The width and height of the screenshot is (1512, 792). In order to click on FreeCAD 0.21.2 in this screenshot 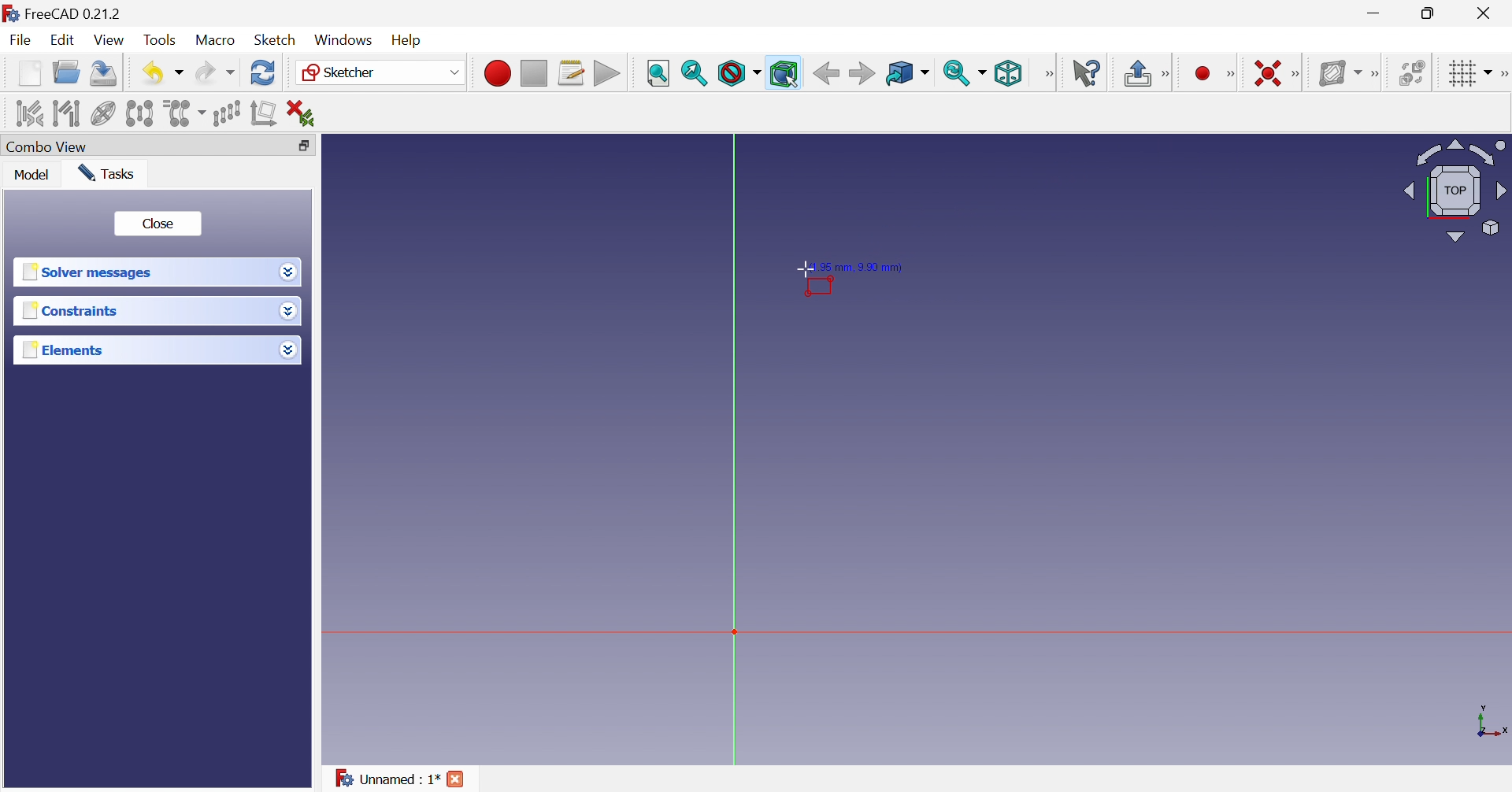, I will do `click(74, 13)`.